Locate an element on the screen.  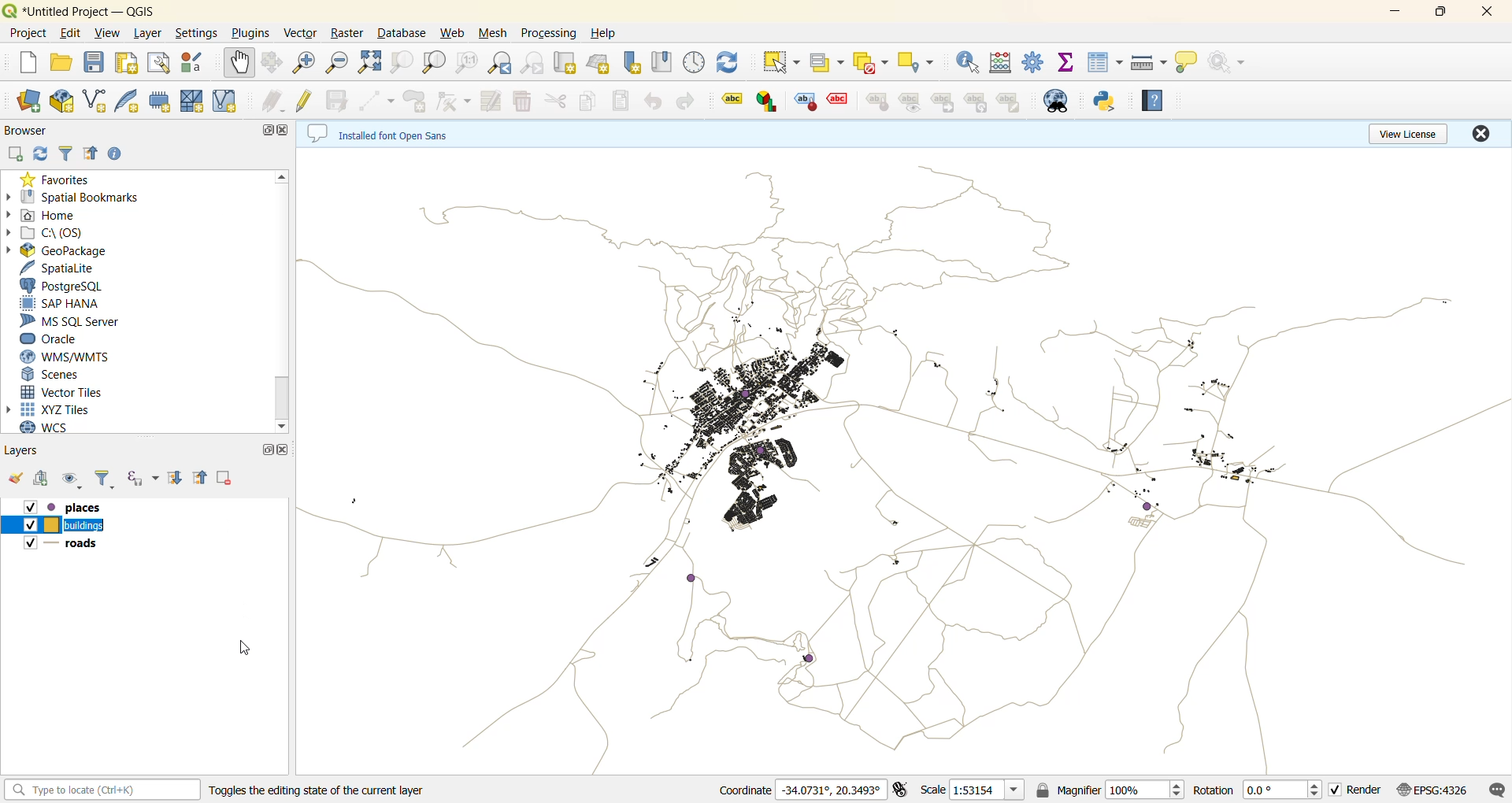
collapse all is located at coordinates (94, 154).